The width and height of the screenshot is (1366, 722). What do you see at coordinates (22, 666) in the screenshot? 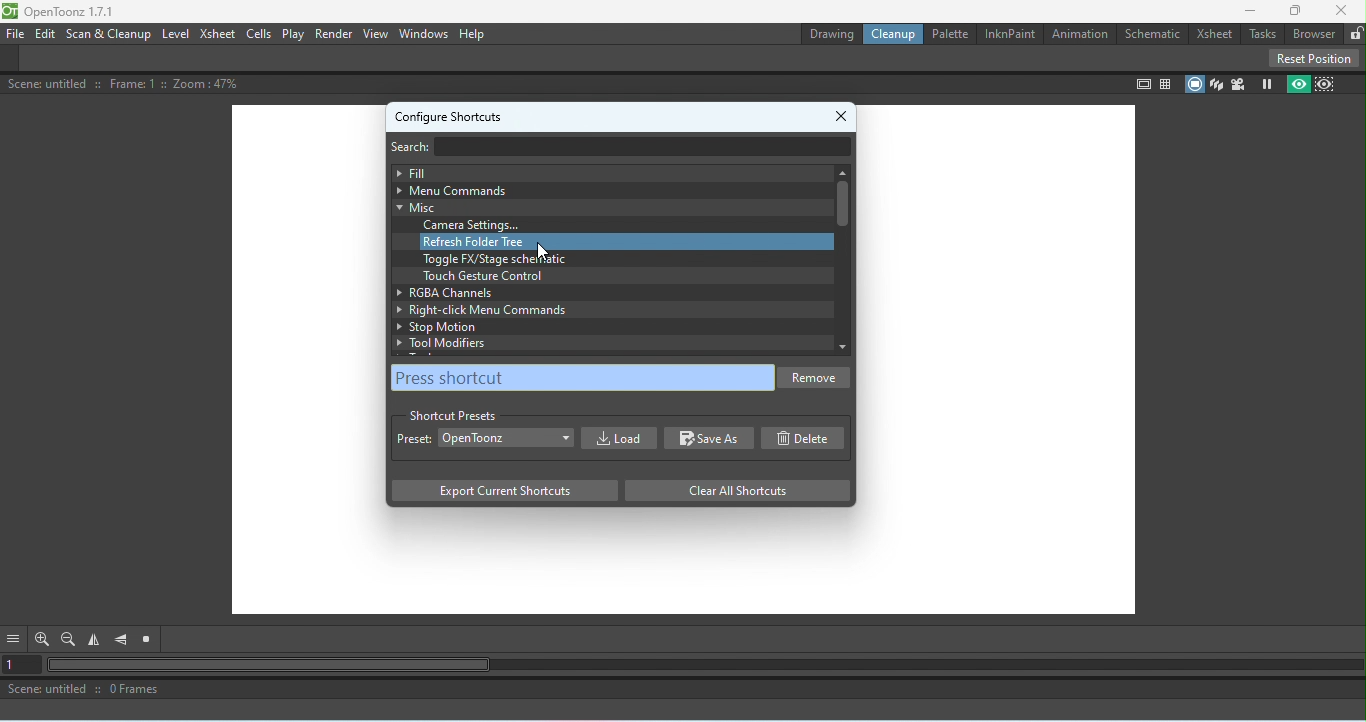
I see `Set the current frame` at bounding box center [22, 666].